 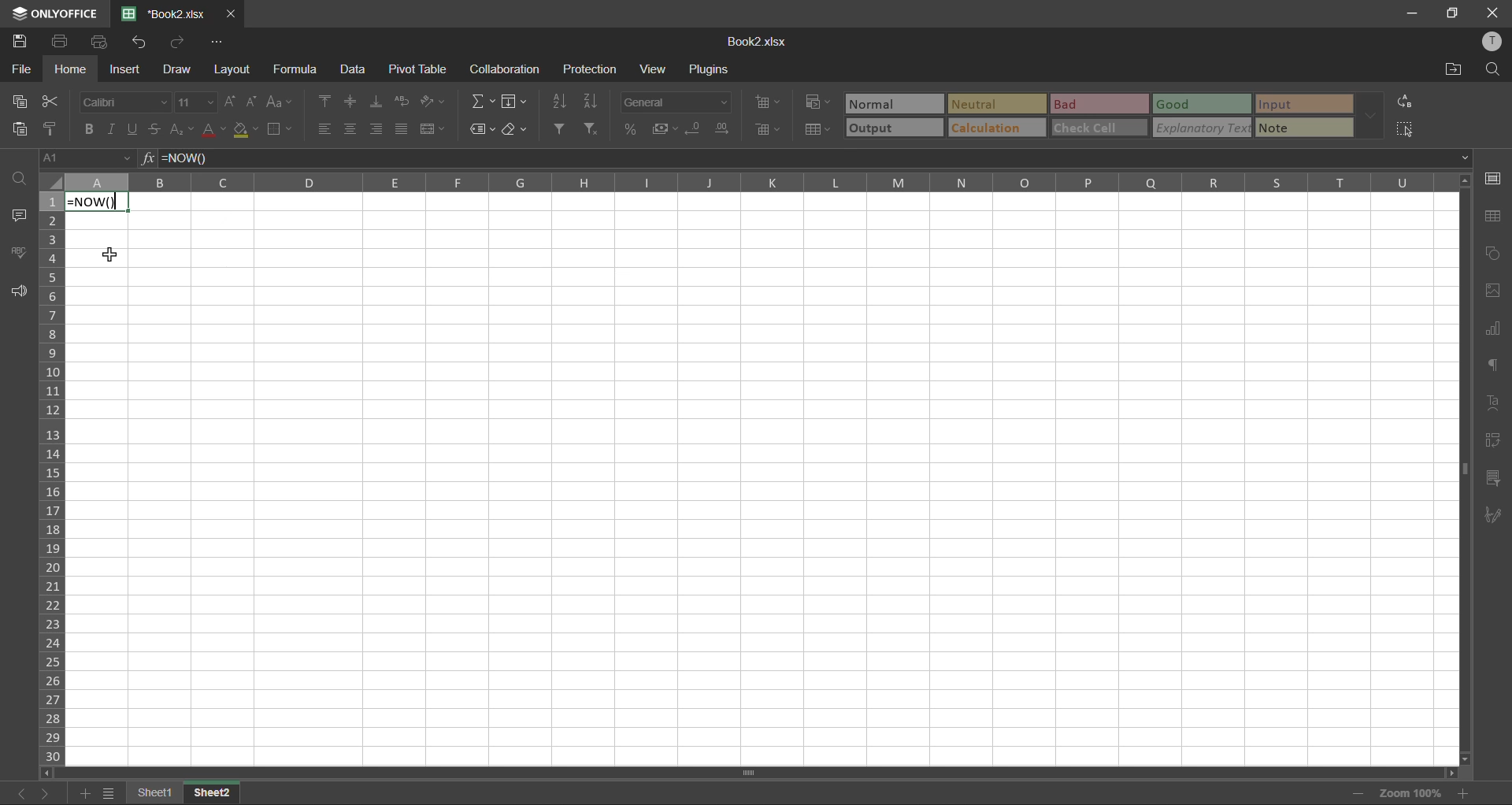 What do you see at coordinates (1492, 328) in the screenshot?
I see `charts` at bounding box center [1492, 328].